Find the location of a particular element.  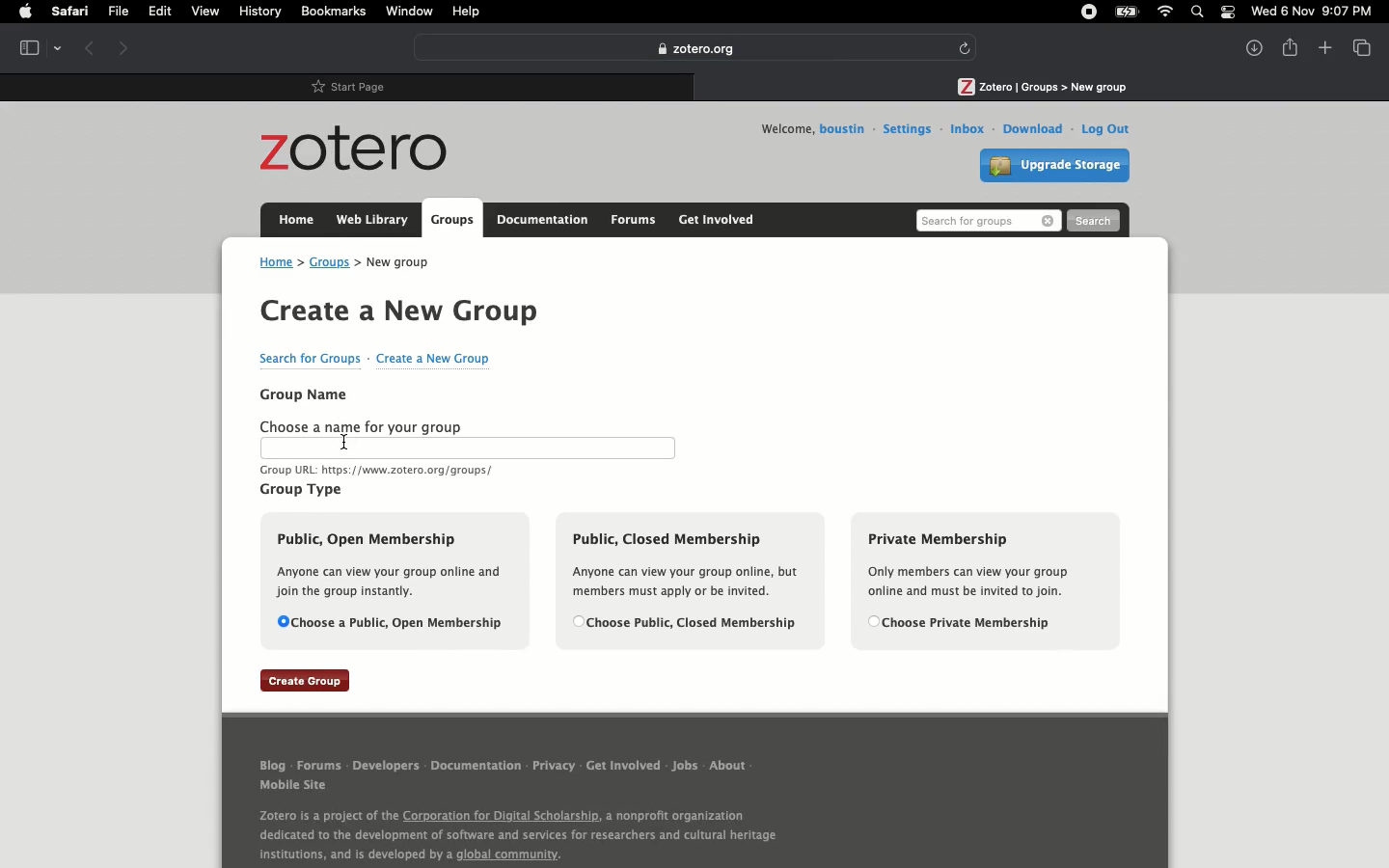

Jobs is located at coordinates (685, 766).